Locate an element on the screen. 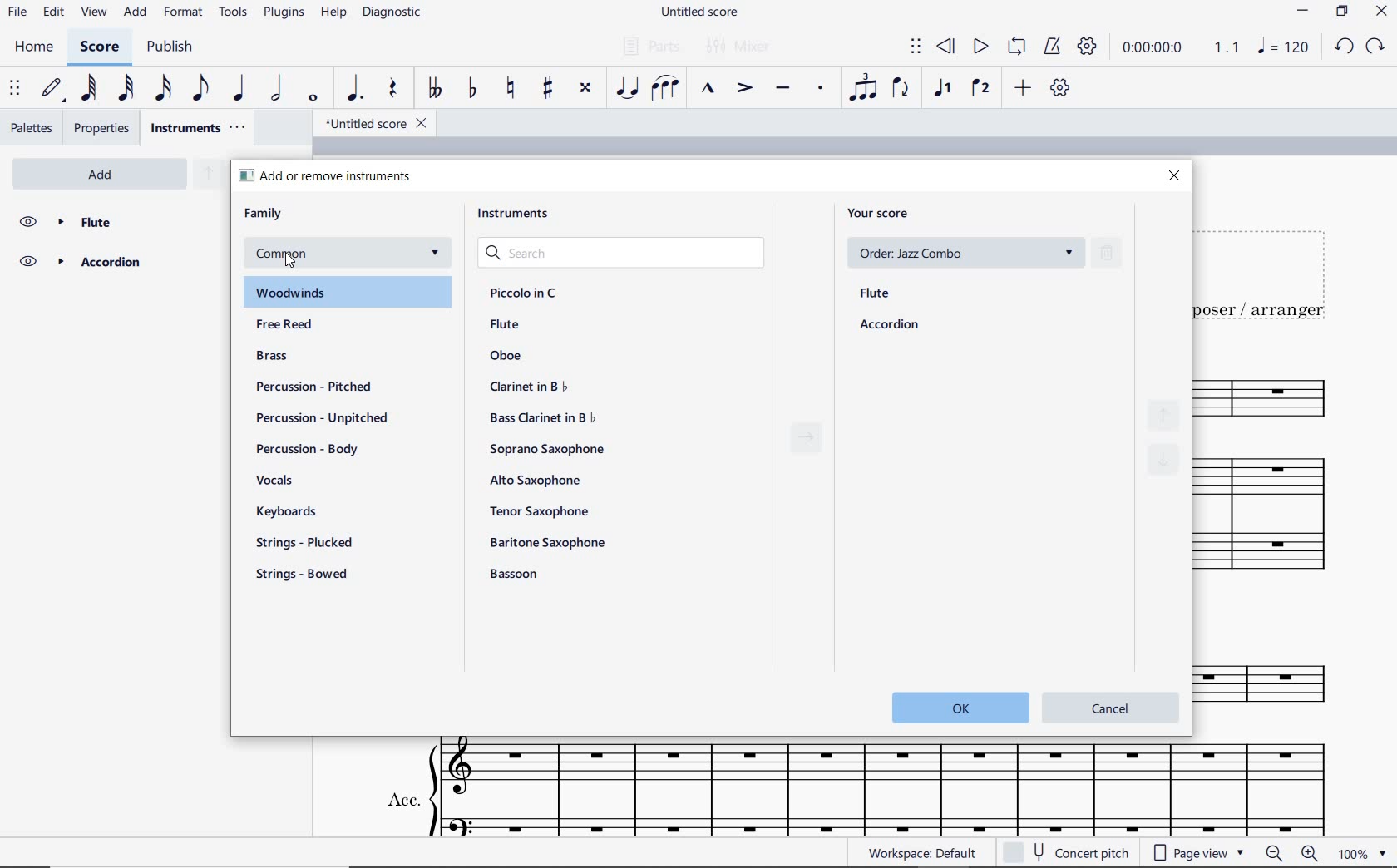 The image size is (1397, 868). RESTORE DOWN is located at coordinates (1341, 12).